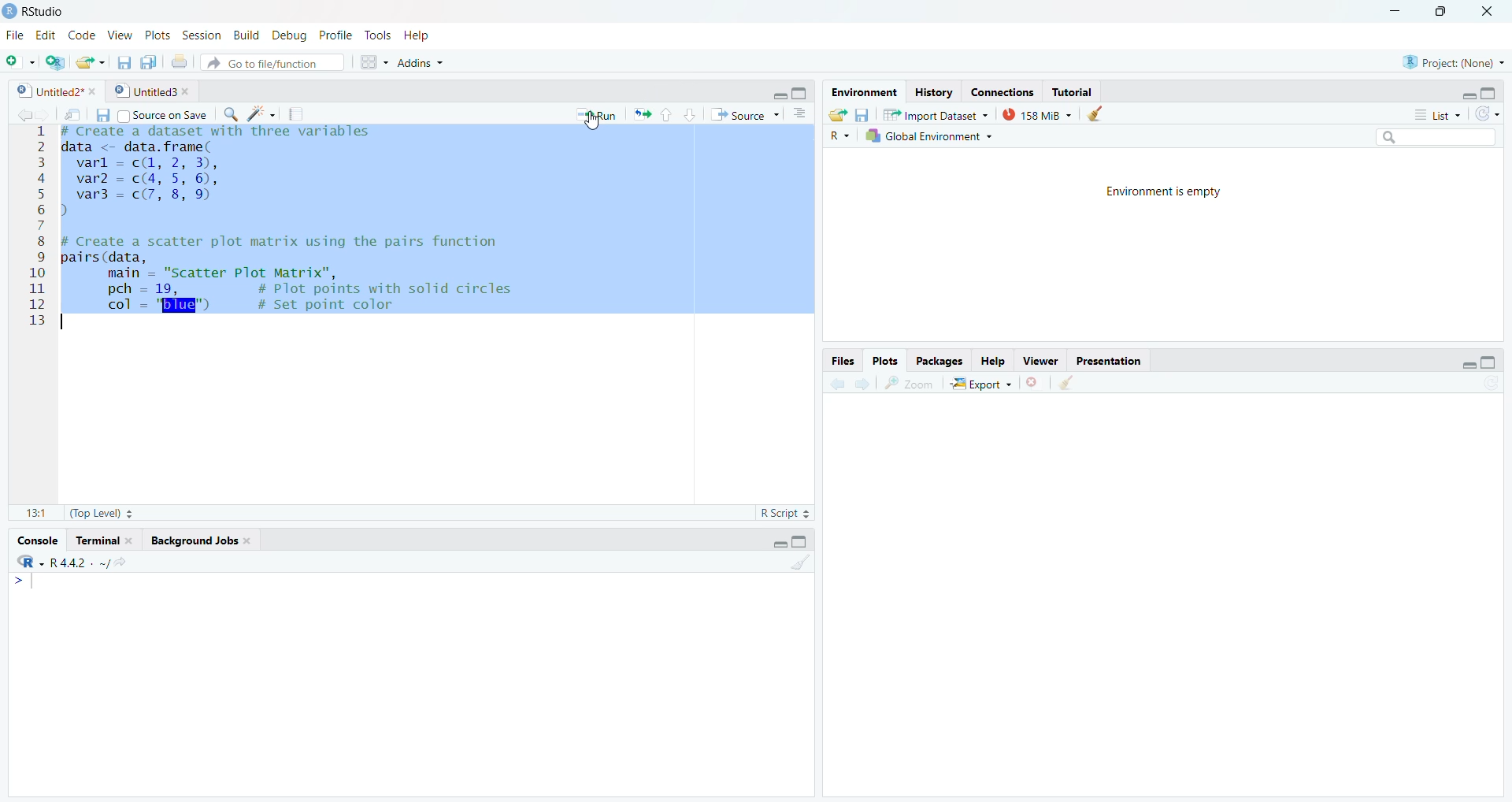 The height and width of the screenshot is (802, 1512). I want to click on @ Proiect: (None) ~, so click(1450, 58).